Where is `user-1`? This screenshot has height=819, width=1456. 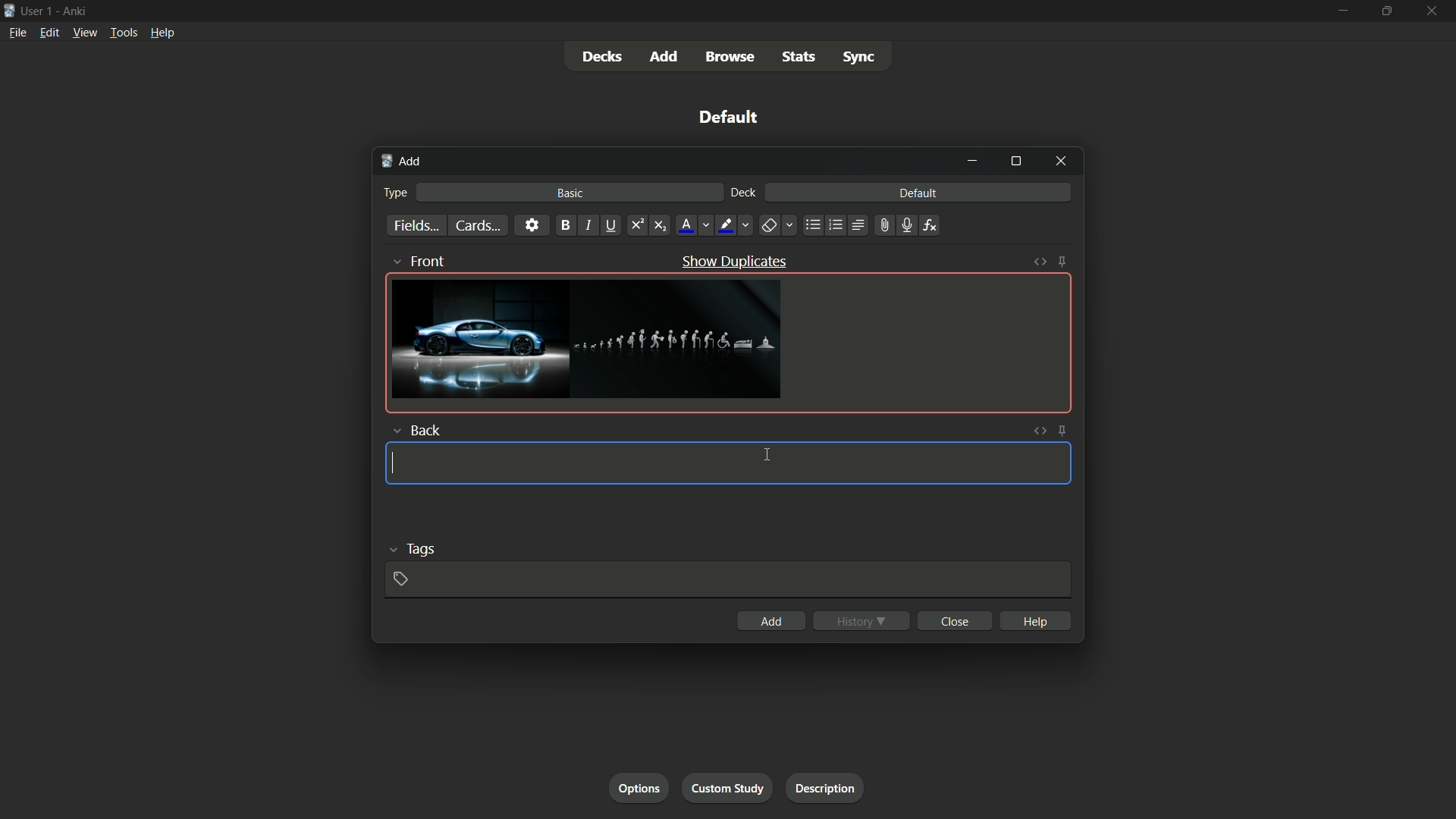
user-1 is located at coordinates (37, 9).